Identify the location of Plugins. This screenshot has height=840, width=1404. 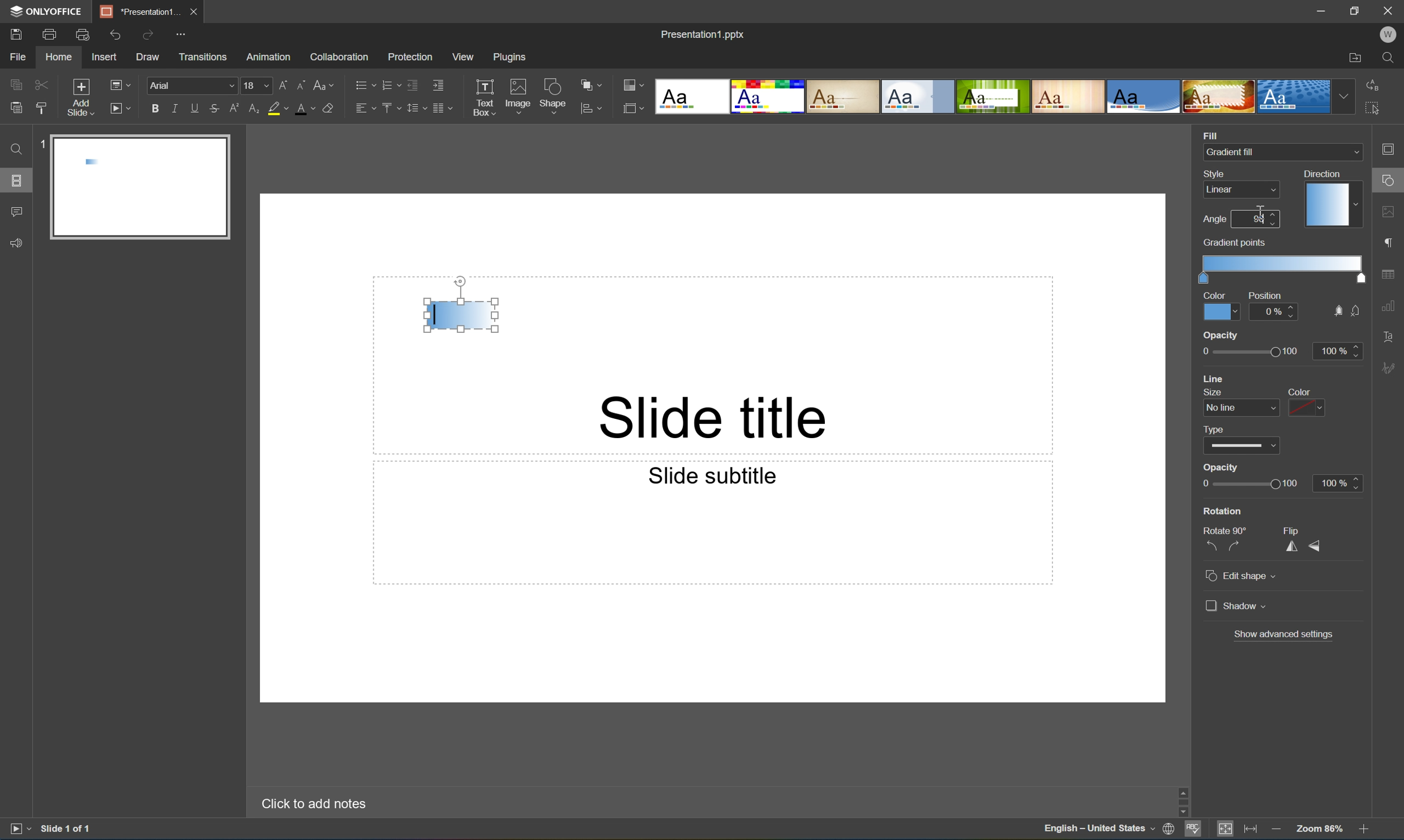
(512, 57).